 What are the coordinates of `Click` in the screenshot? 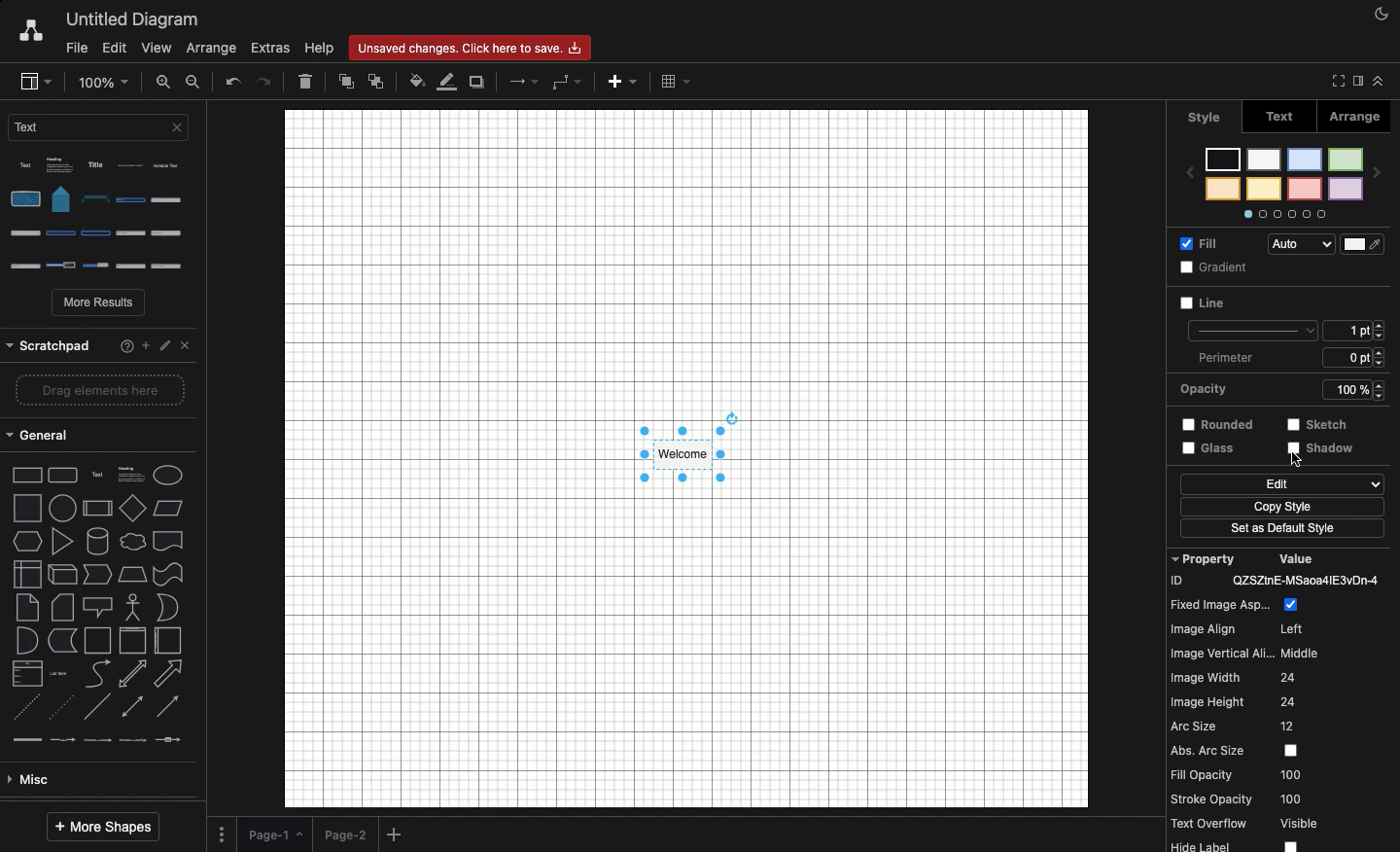 It's located at (1323, 455).